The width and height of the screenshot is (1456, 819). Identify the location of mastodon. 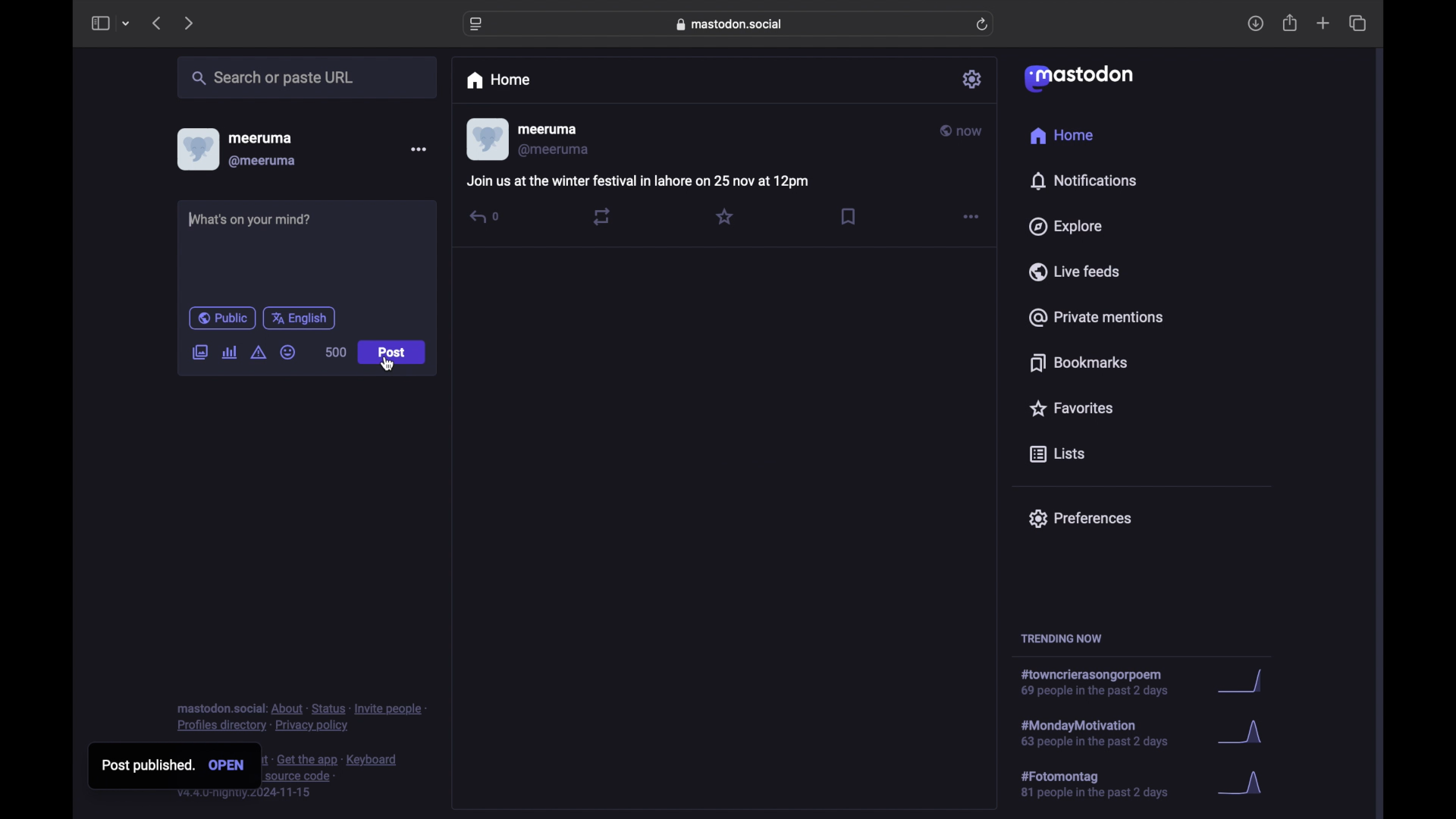
(1077, 77).